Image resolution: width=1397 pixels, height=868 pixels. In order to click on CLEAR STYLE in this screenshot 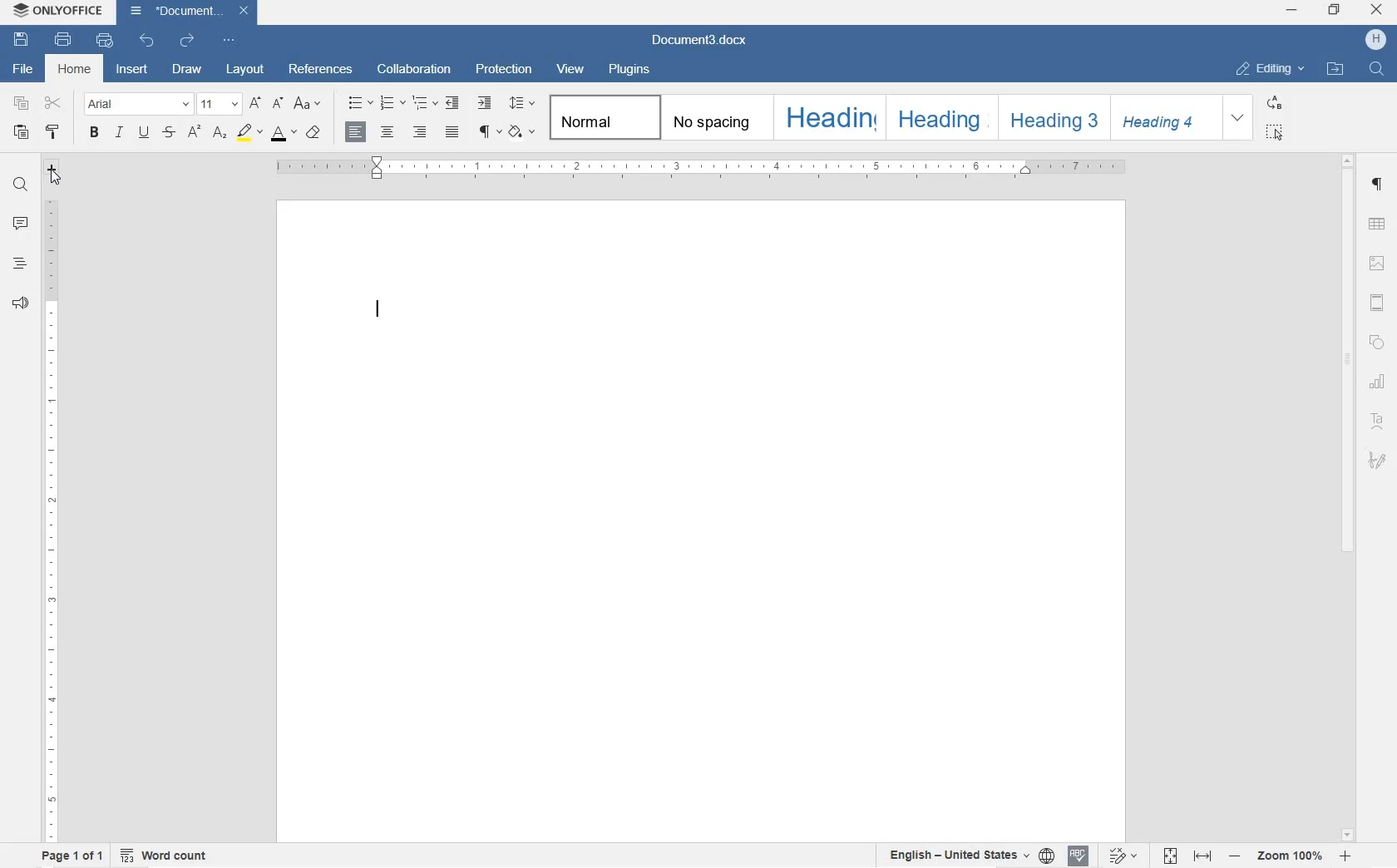, I will do `click(313, 135)`.